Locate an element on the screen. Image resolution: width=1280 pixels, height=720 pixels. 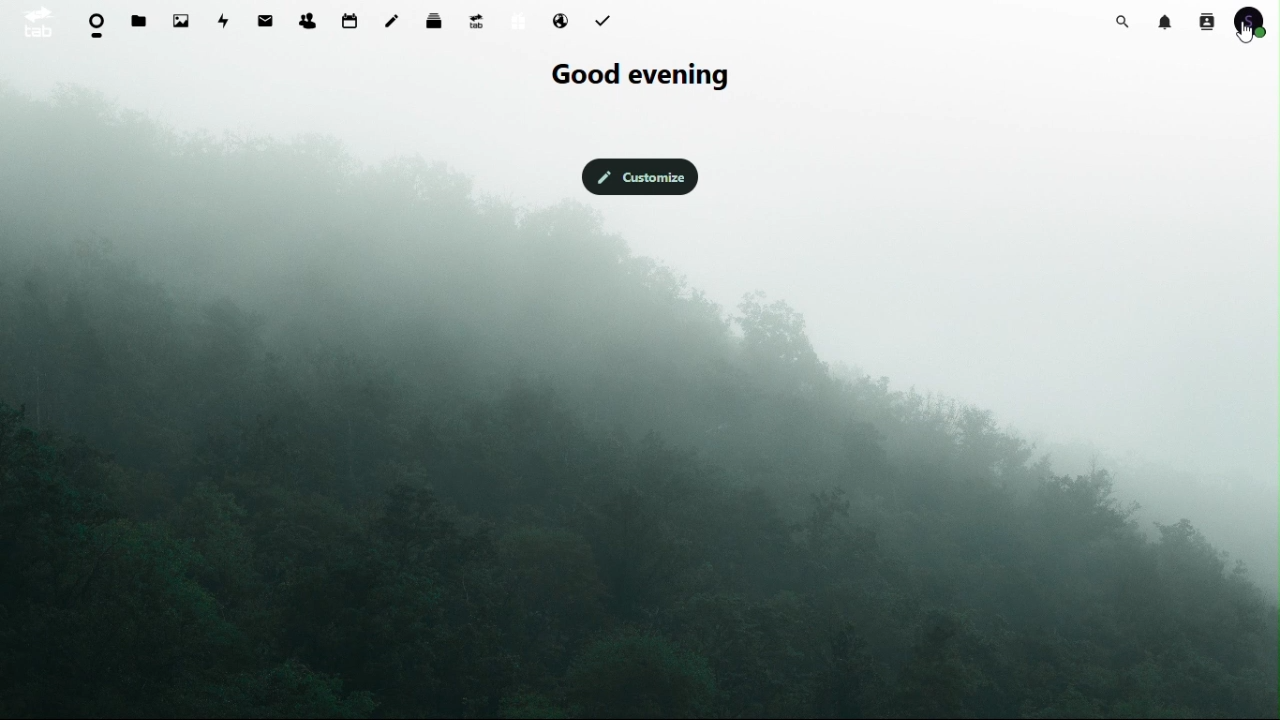
Notes is located at coordinates (397, 16).